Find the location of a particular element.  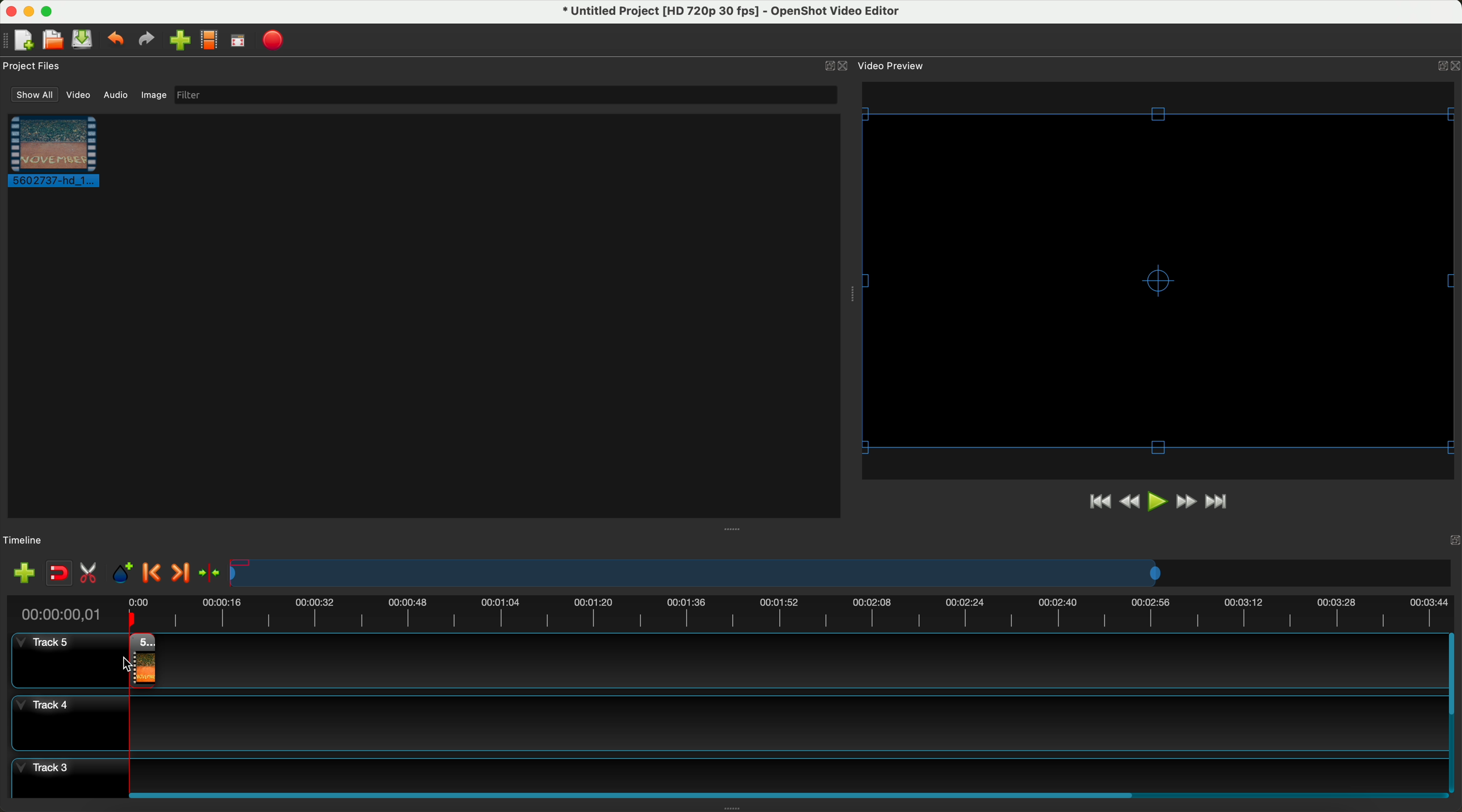

jump to start is located at coordinates (1098, 503).